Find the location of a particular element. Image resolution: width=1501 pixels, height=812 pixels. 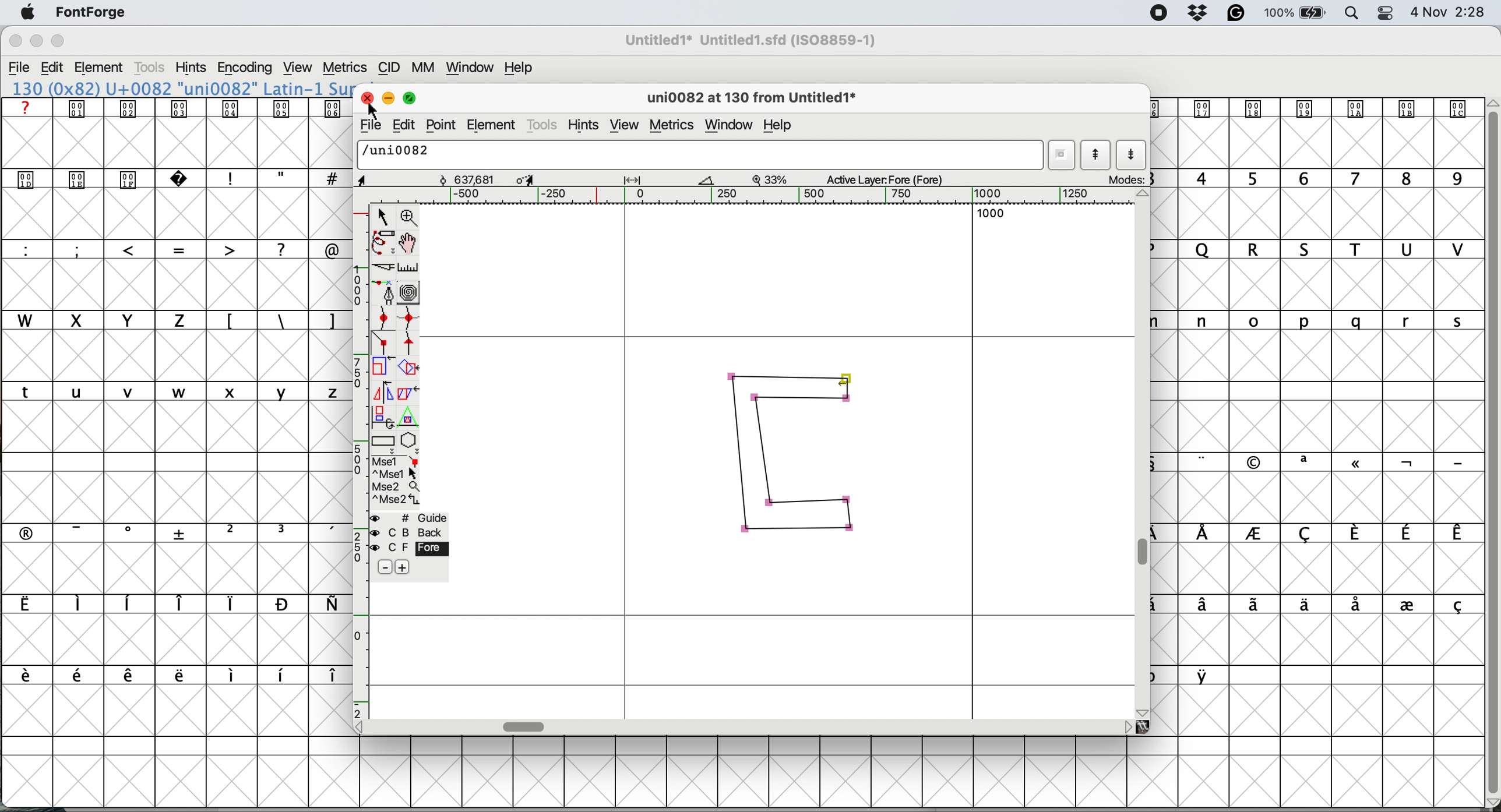

remove is located at coordinates (386, 568).